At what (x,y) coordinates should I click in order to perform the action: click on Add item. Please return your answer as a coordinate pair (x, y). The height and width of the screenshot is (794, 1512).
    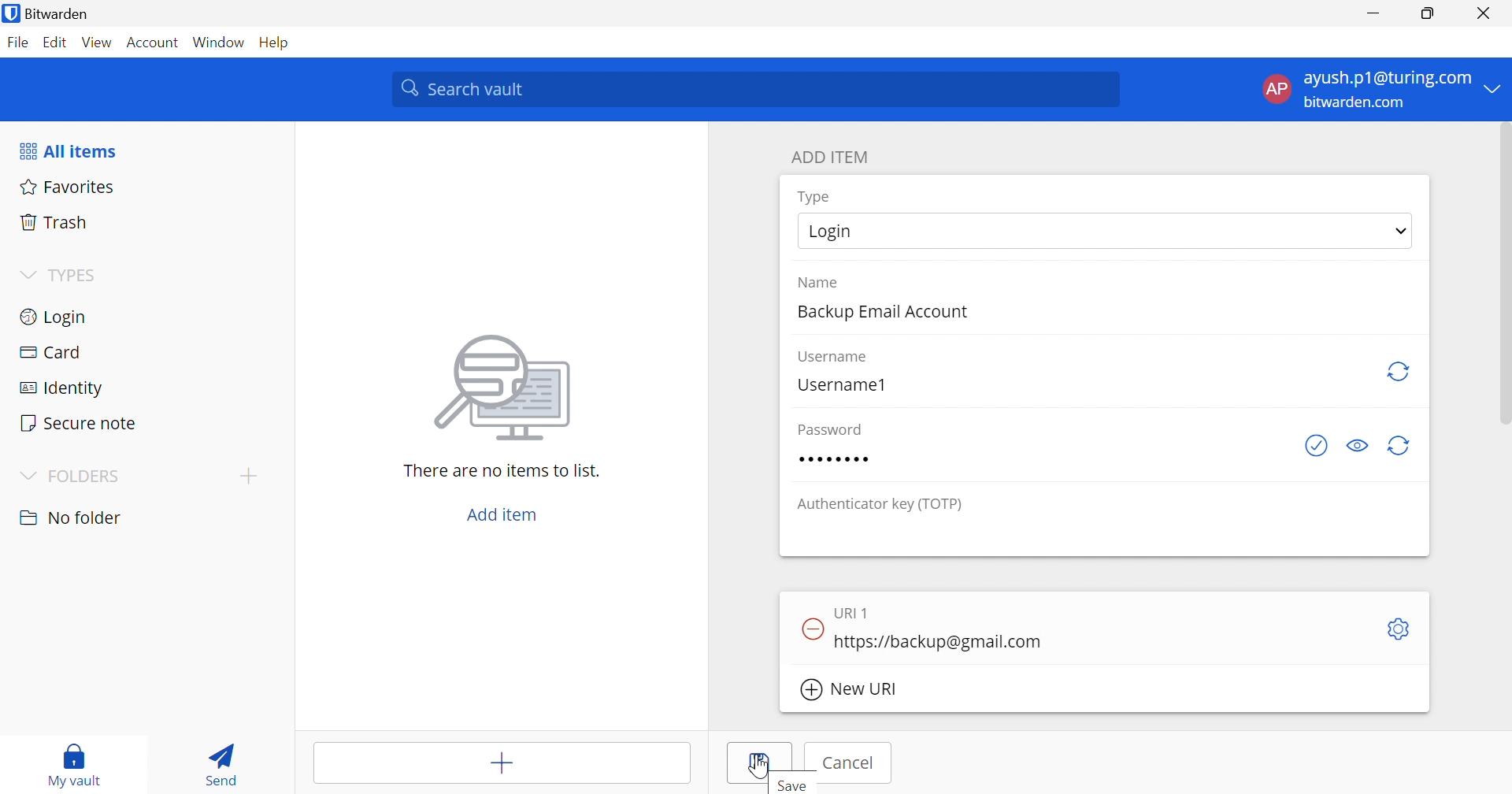
    Looking at the image, I should click on (500, 760).